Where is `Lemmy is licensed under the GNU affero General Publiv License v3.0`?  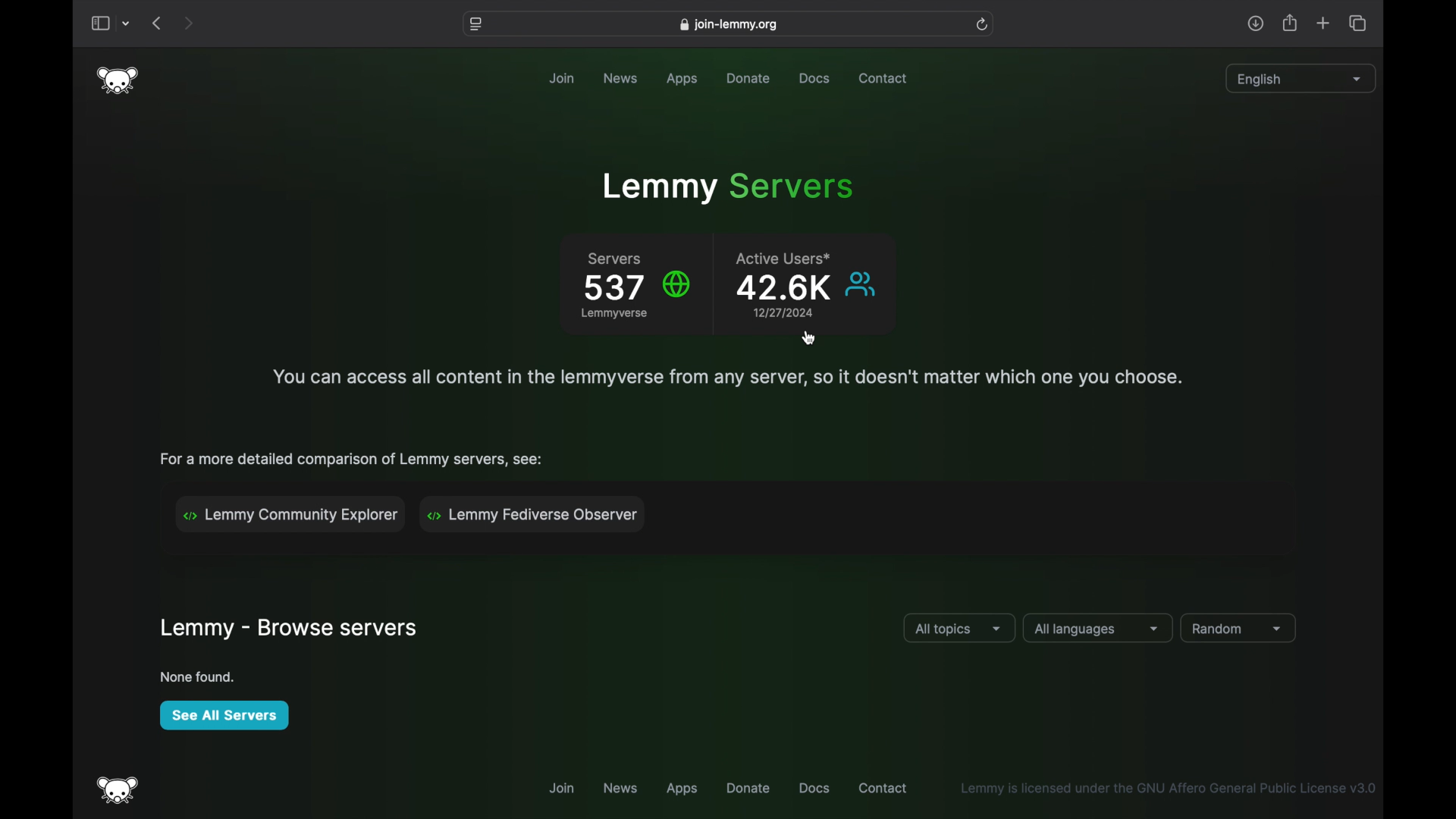 Lemmy is licensed under the GNU affero General Publiv License v3.0 is located at coordinates (1166, 788).